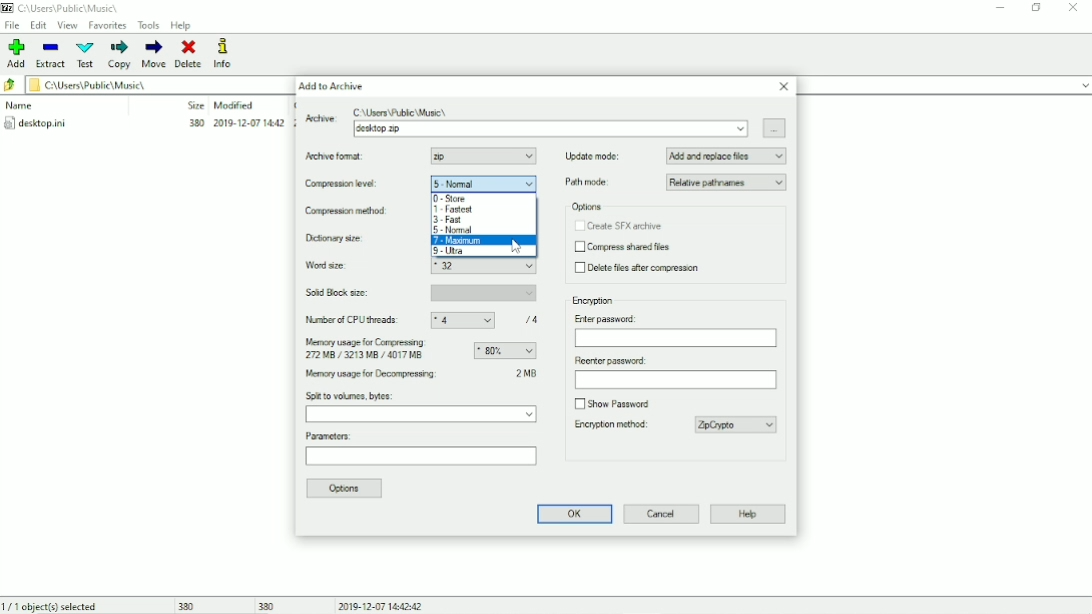  I want to click on 1/1 object(s) selected, so click(55, 605).